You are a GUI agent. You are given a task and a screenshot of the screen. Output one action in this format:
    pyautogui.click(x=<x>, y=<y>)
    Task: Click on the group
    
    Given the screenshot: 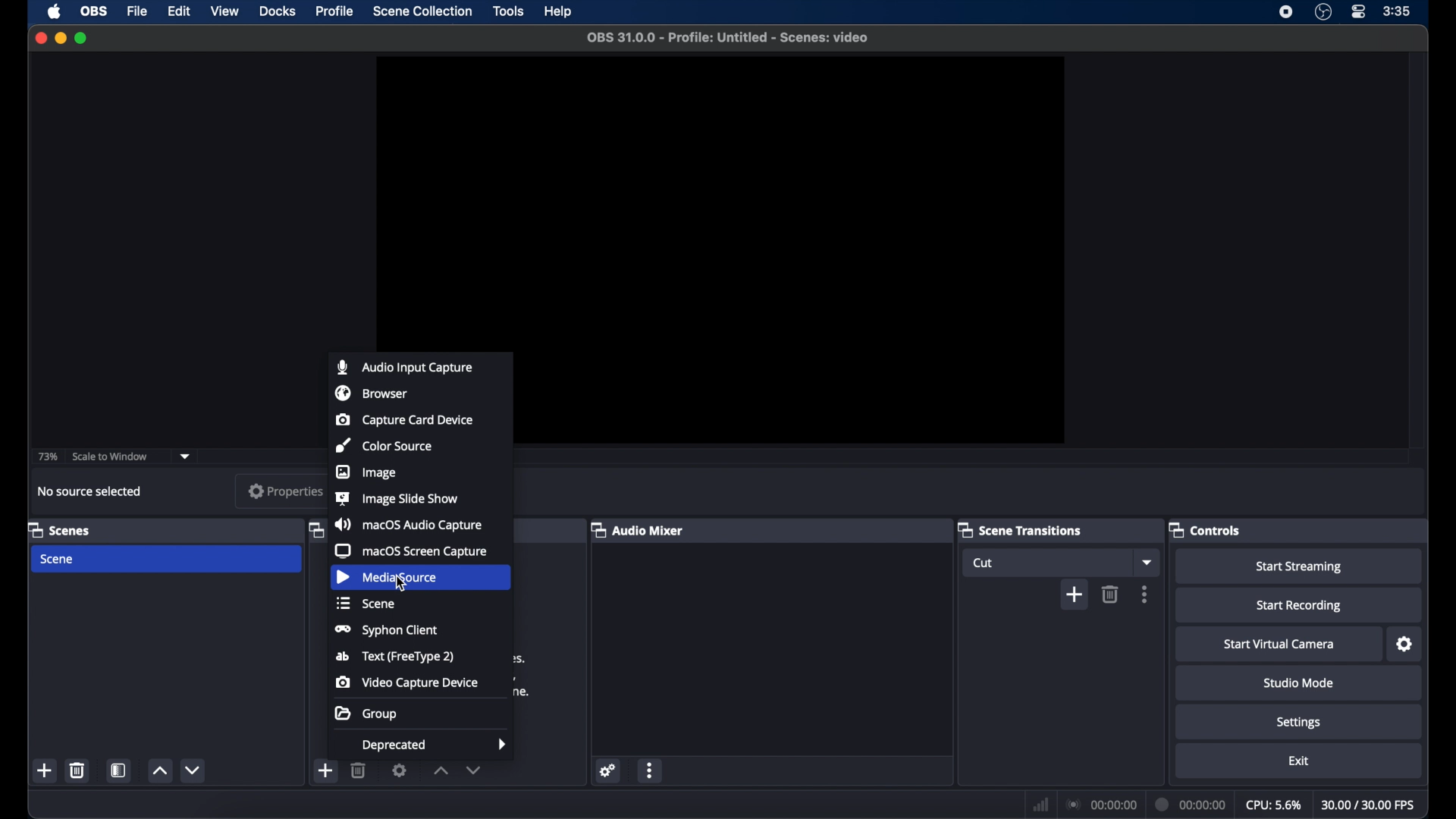 What is the action you would take?
    pyautogui.click(x=365, y=714)
    